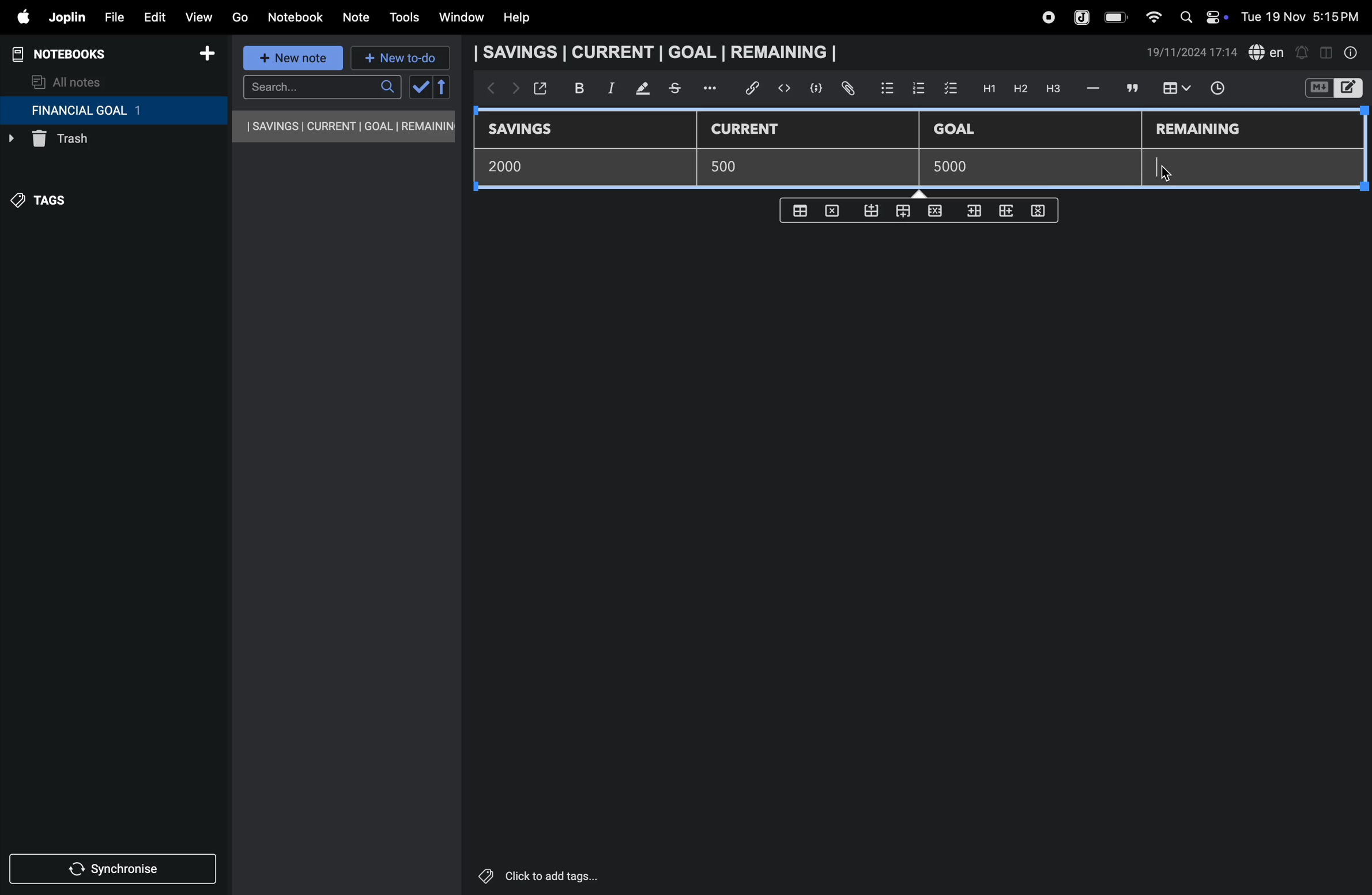 The width and height of the screenshot is (1372, 895). Describe the element at coordinates (1053, 89) in the screenshot. I see `heading 3` at that location.